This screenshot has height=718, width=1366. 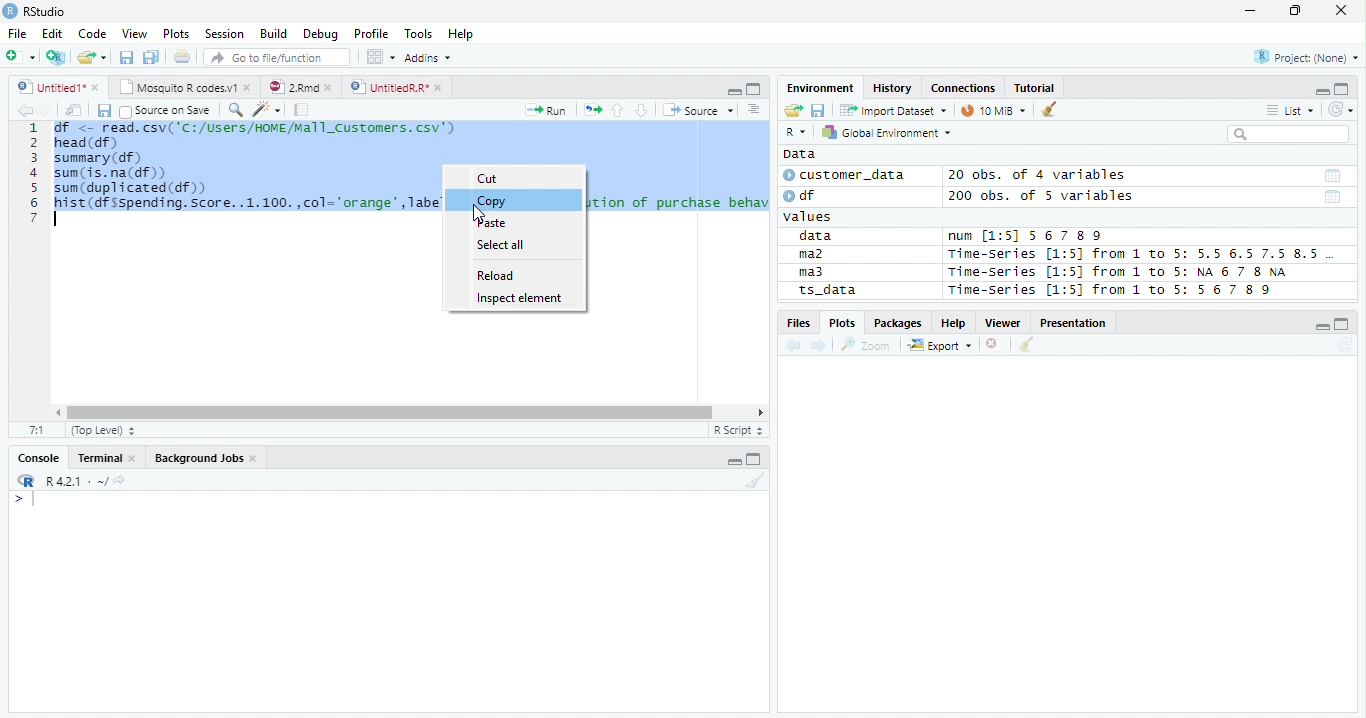 What do you see at coordinates (302, 110) in the screenshot?
I see `Compile Report` at bounding box center [302, 110].